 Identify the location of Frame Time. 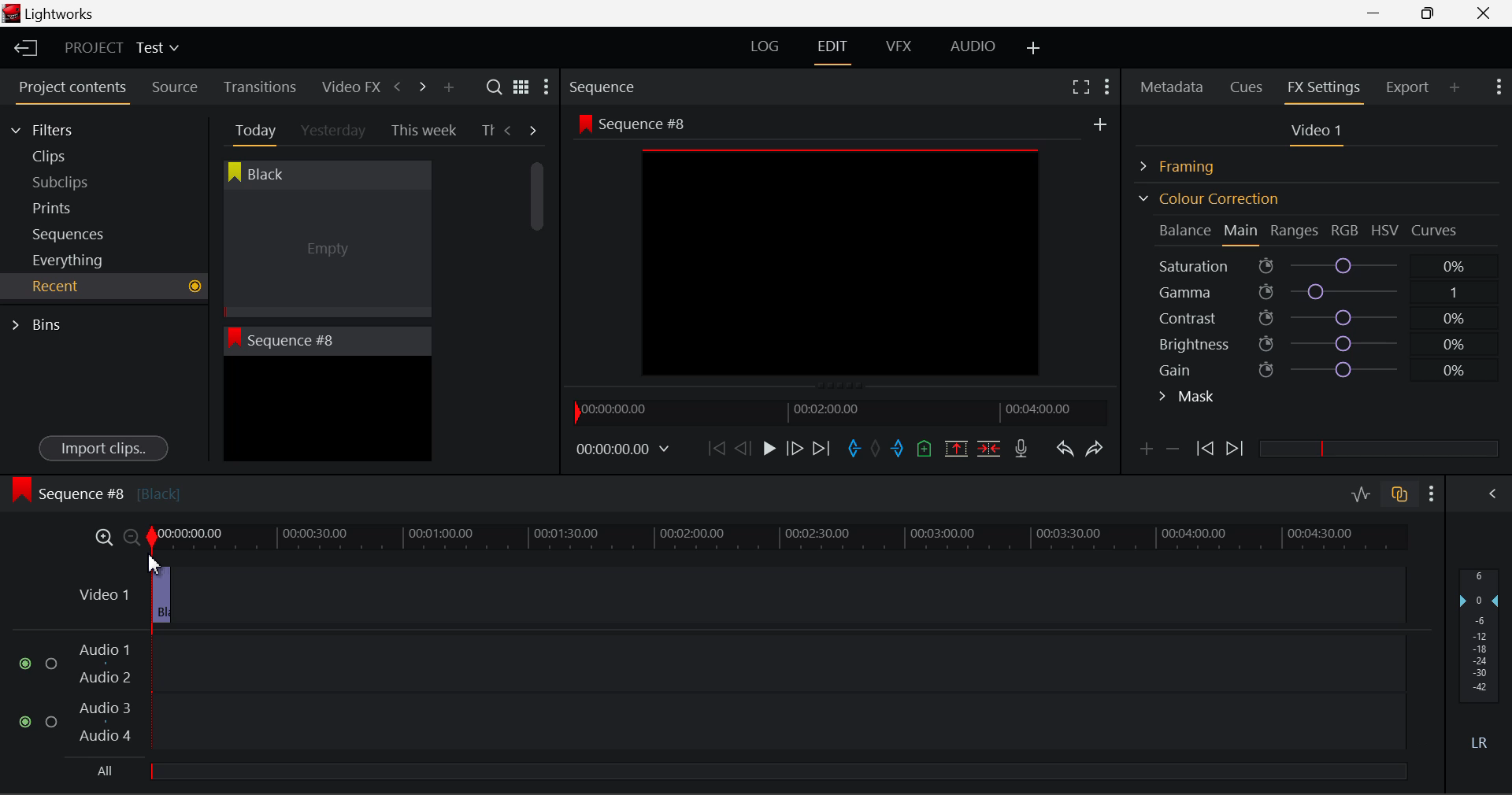
(624, 450).